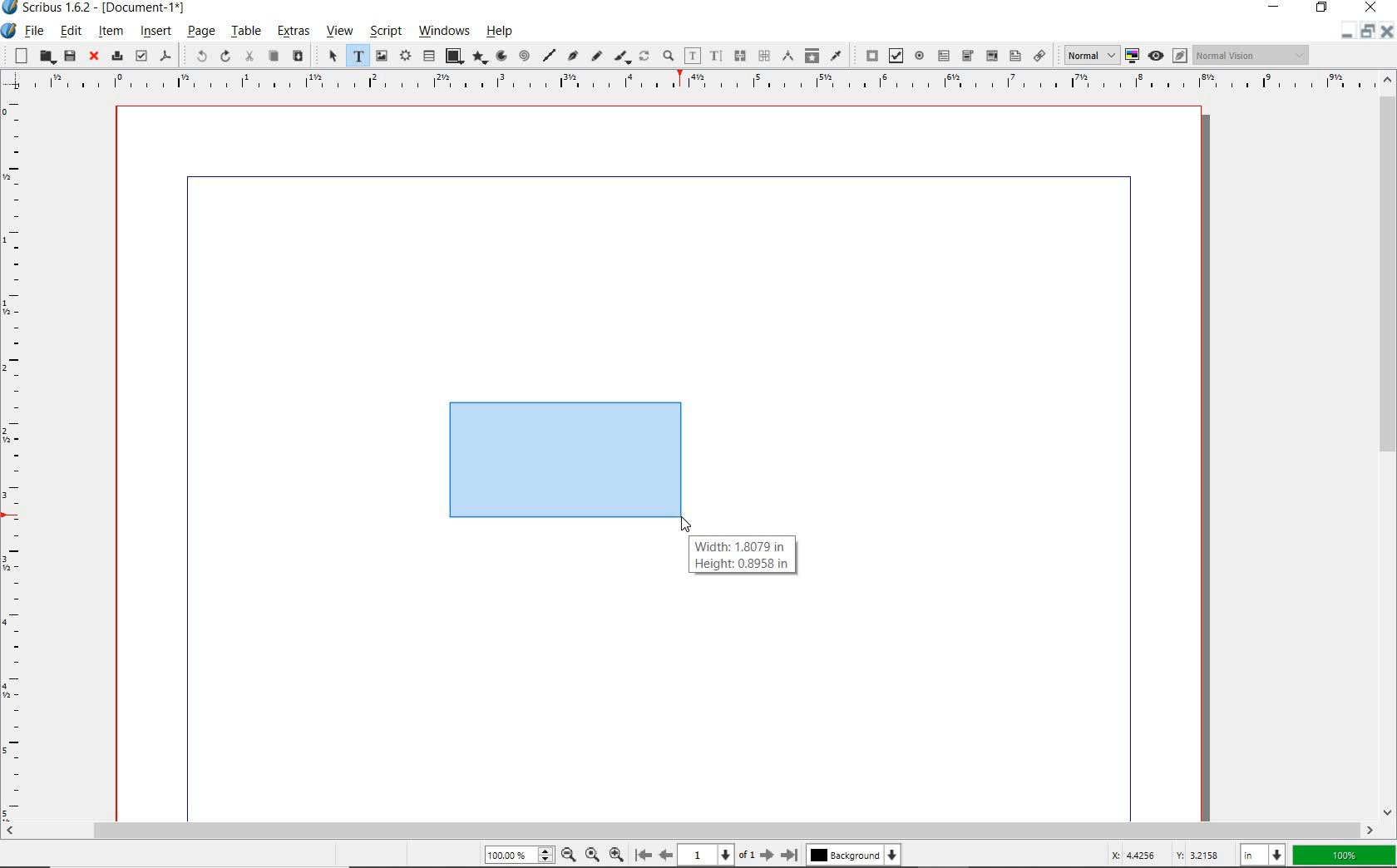  I want to click on Zoom to 100%, so click(593, 856).